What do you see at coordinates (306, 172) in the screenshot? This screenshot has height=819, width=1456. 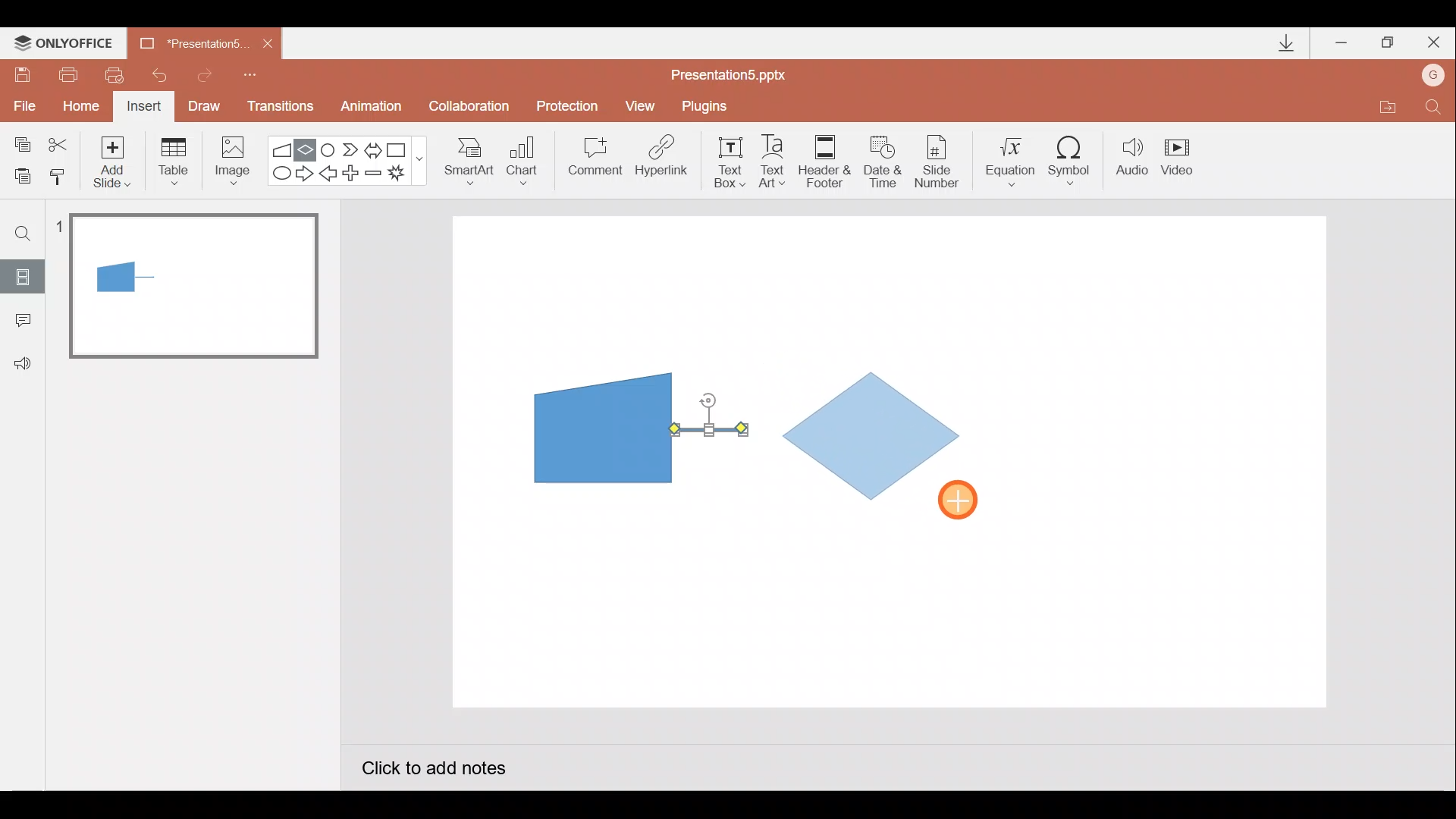 I see `Right arrow` at bounding box center [306, 172].